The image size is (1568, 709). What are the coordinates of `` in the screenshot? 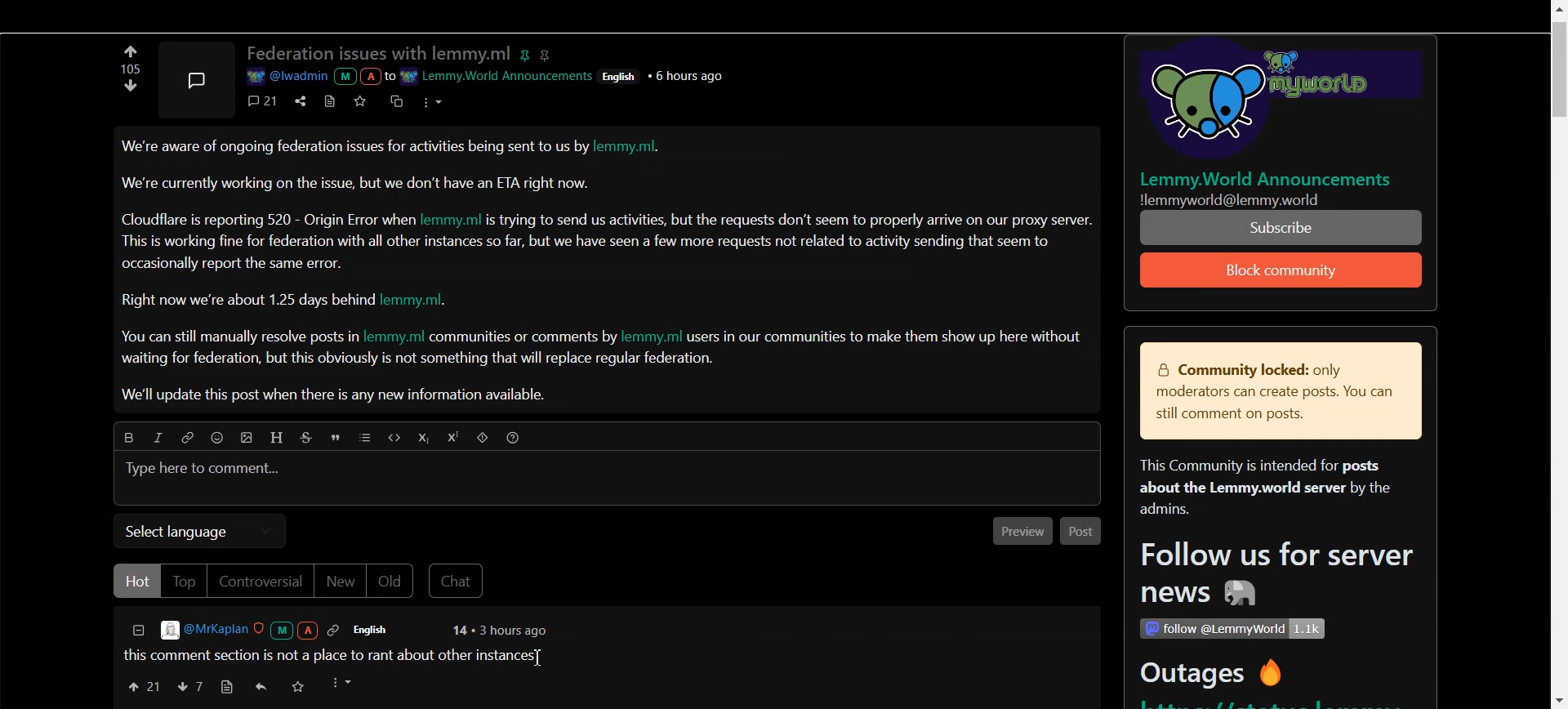 It's located at (1271, 102).